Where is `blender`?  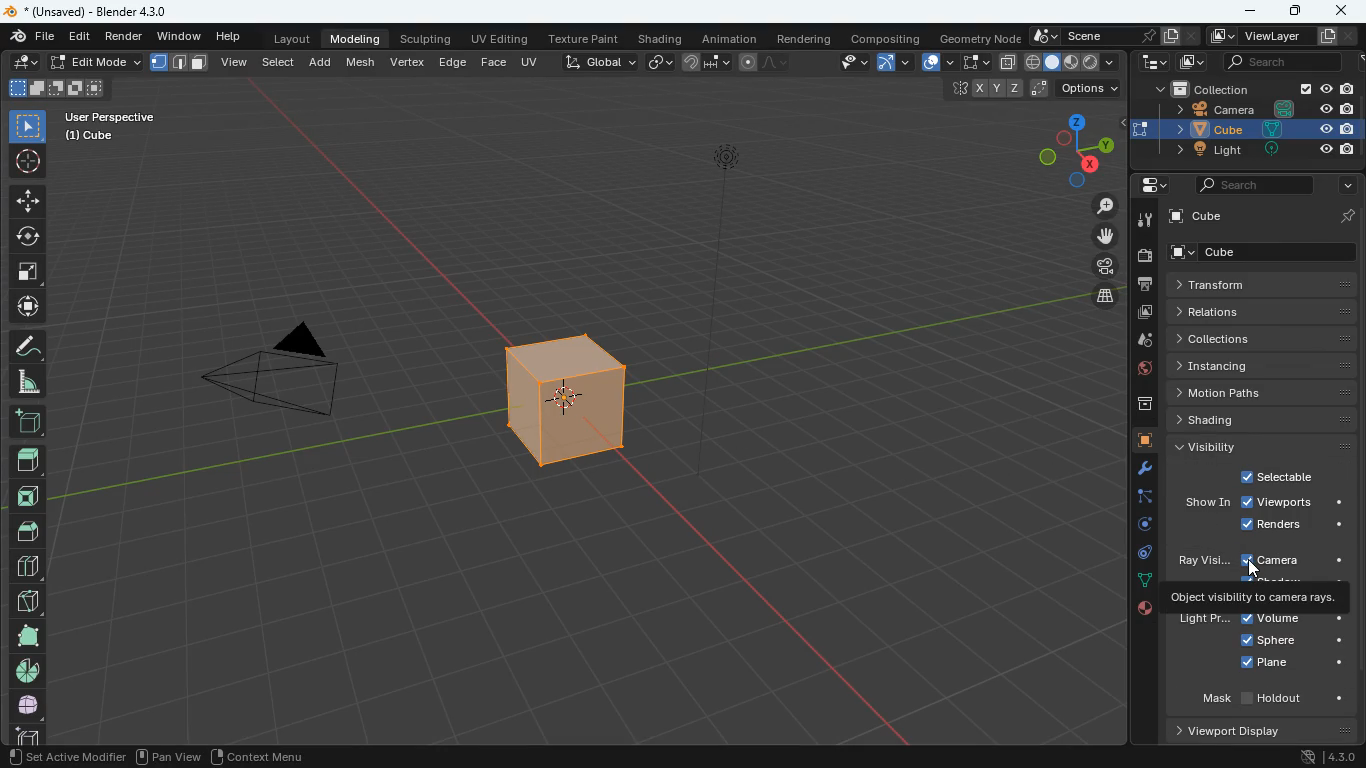
blender is located at coordinates (93, 12).